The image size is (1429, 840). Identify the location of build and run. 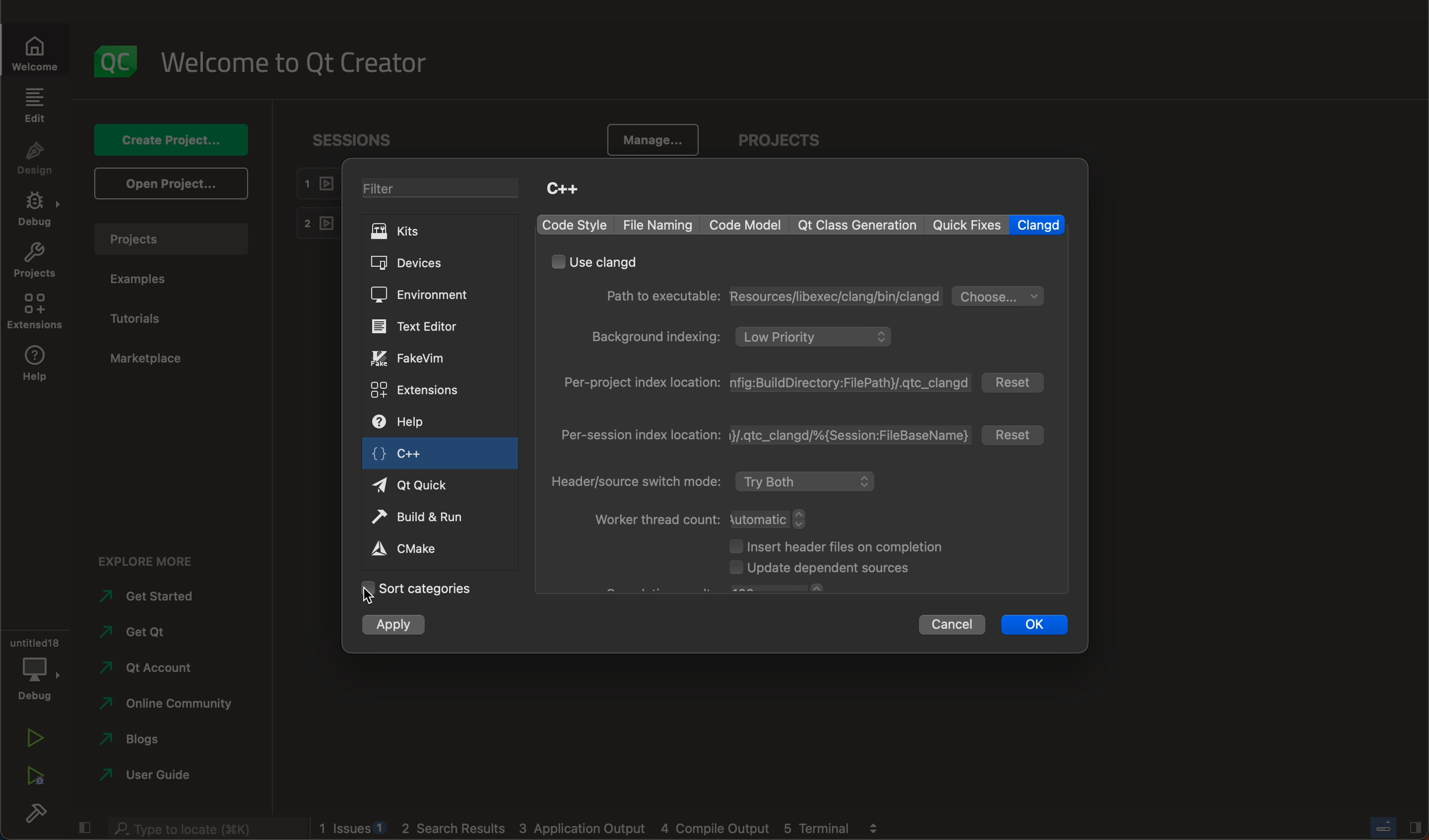
(423, 515).